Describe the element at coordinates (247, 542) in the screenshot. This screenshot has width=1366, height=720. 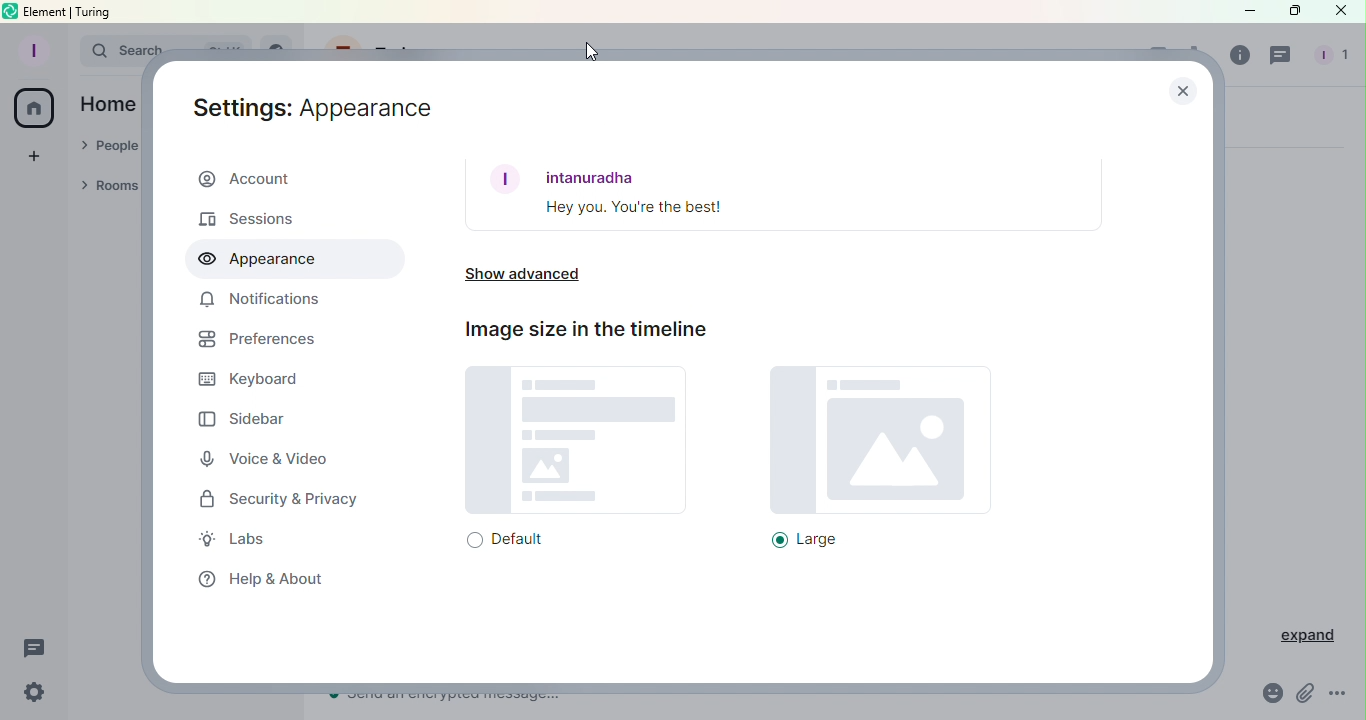
I see `Labs` at that location.